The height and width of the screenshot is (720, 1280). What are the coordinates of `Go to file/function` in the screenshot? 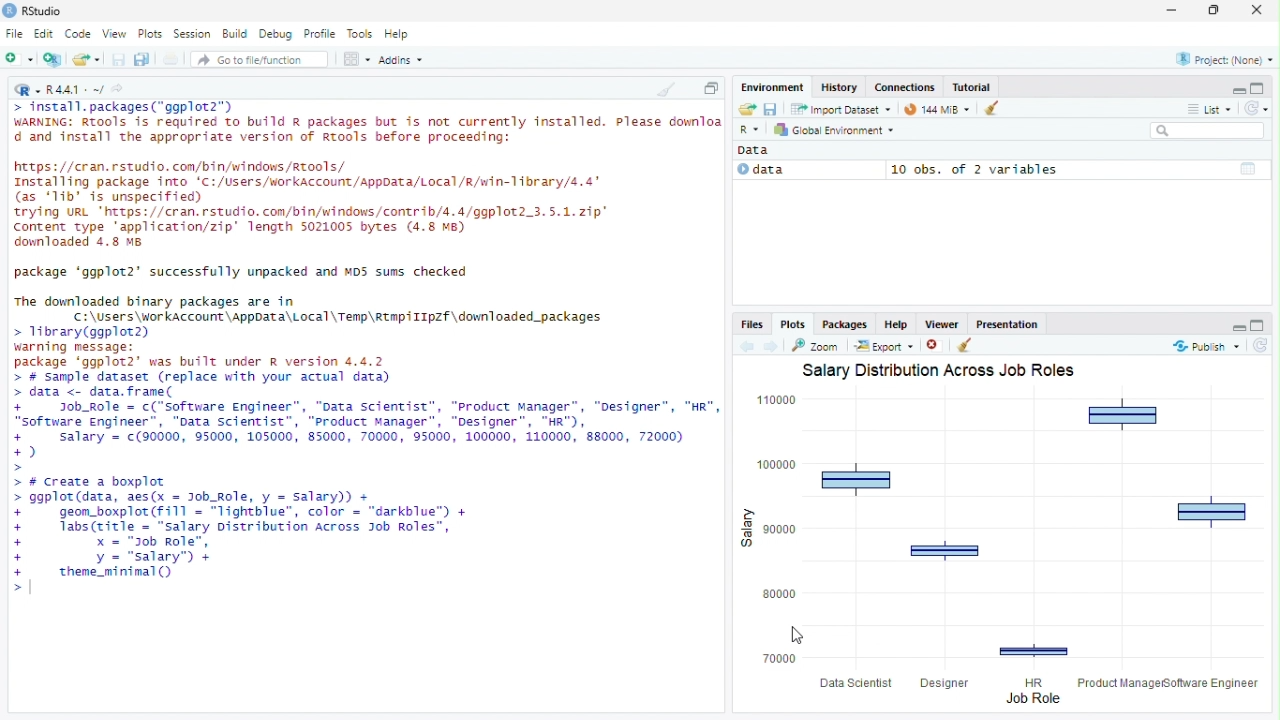 It's located at (259, 59).